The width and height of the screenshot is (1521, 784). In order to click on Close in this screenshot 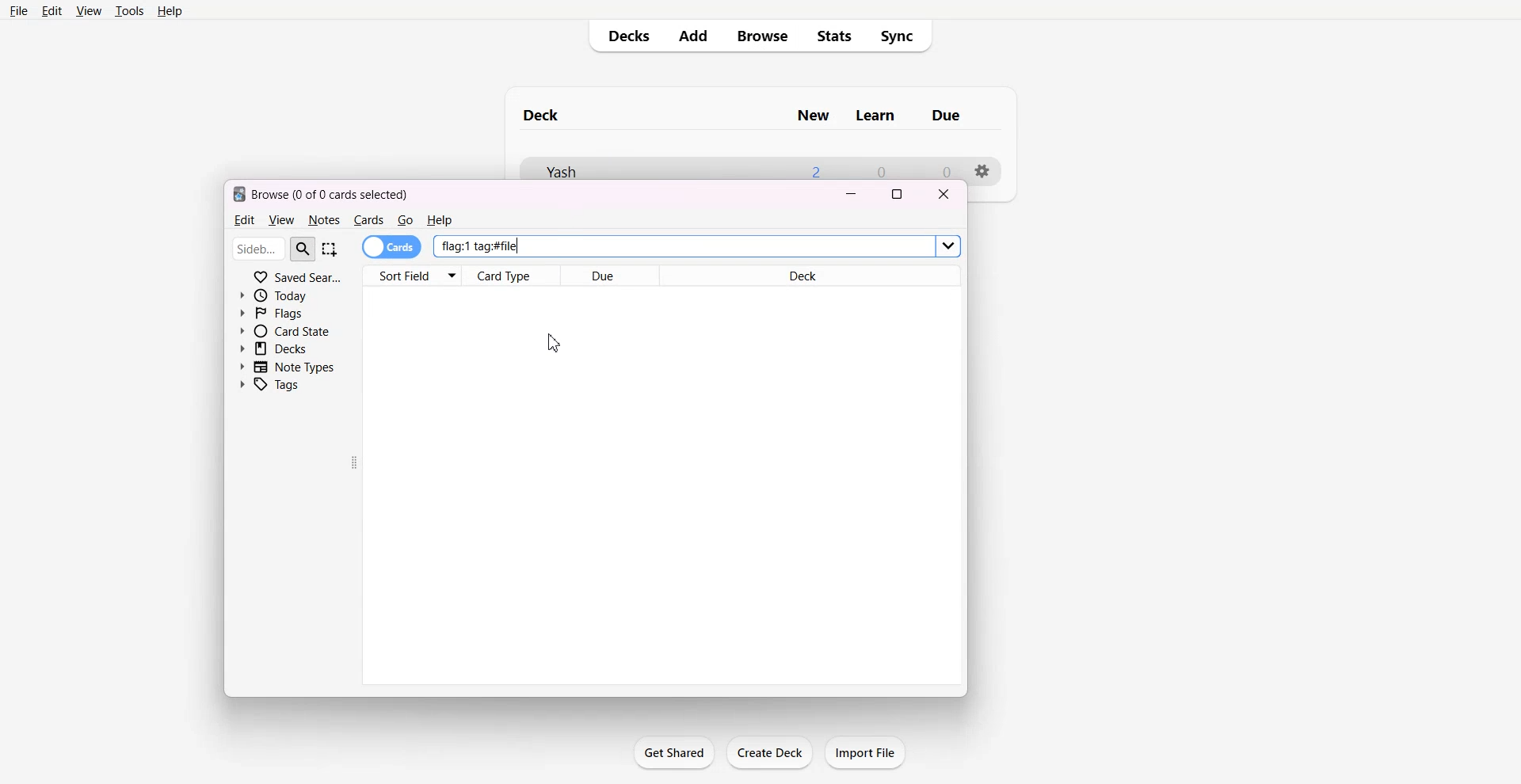, I will do `click(943, 193)`.